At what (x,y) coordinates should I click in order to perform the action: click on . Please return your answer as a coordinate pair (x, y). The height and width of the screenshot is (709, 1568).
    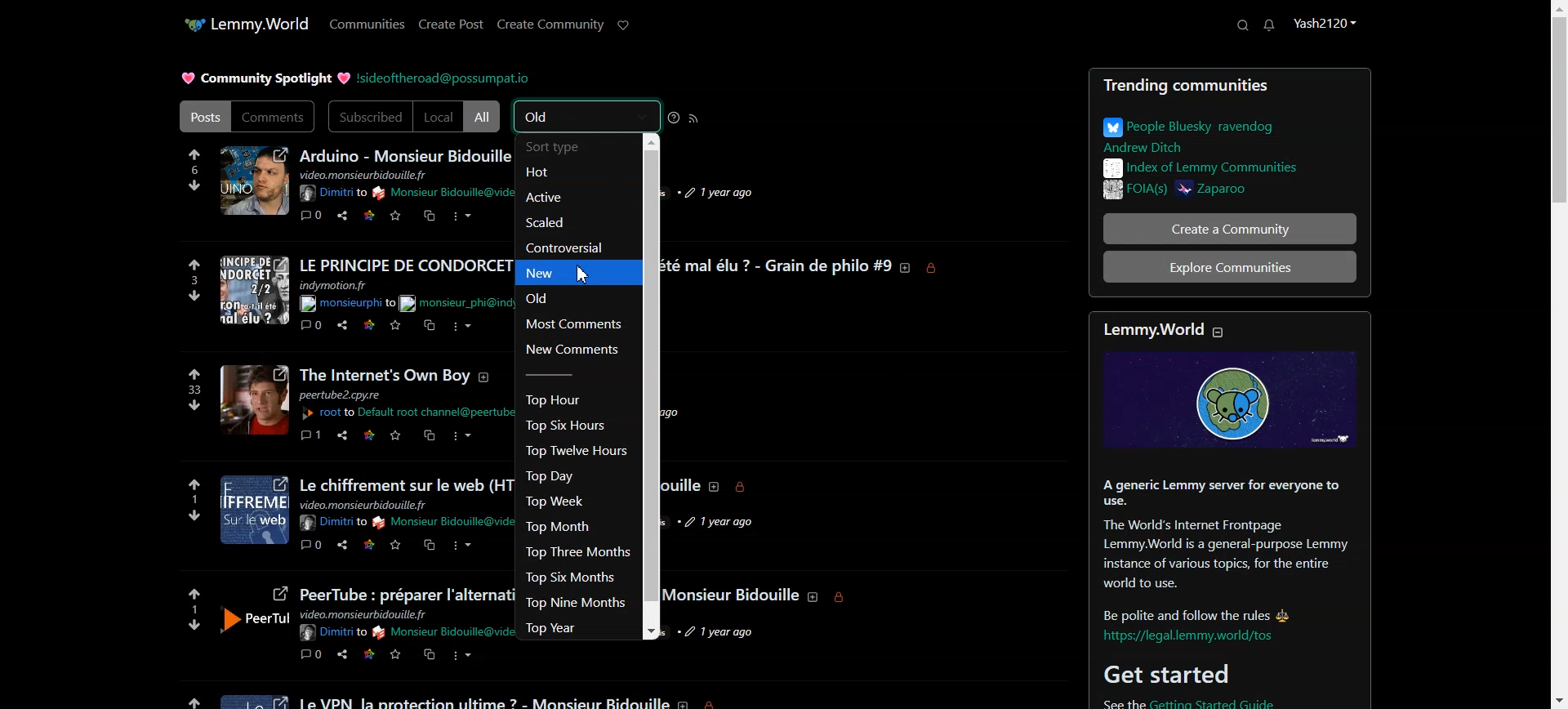
    Looking at the image, I should click on (430, 543).